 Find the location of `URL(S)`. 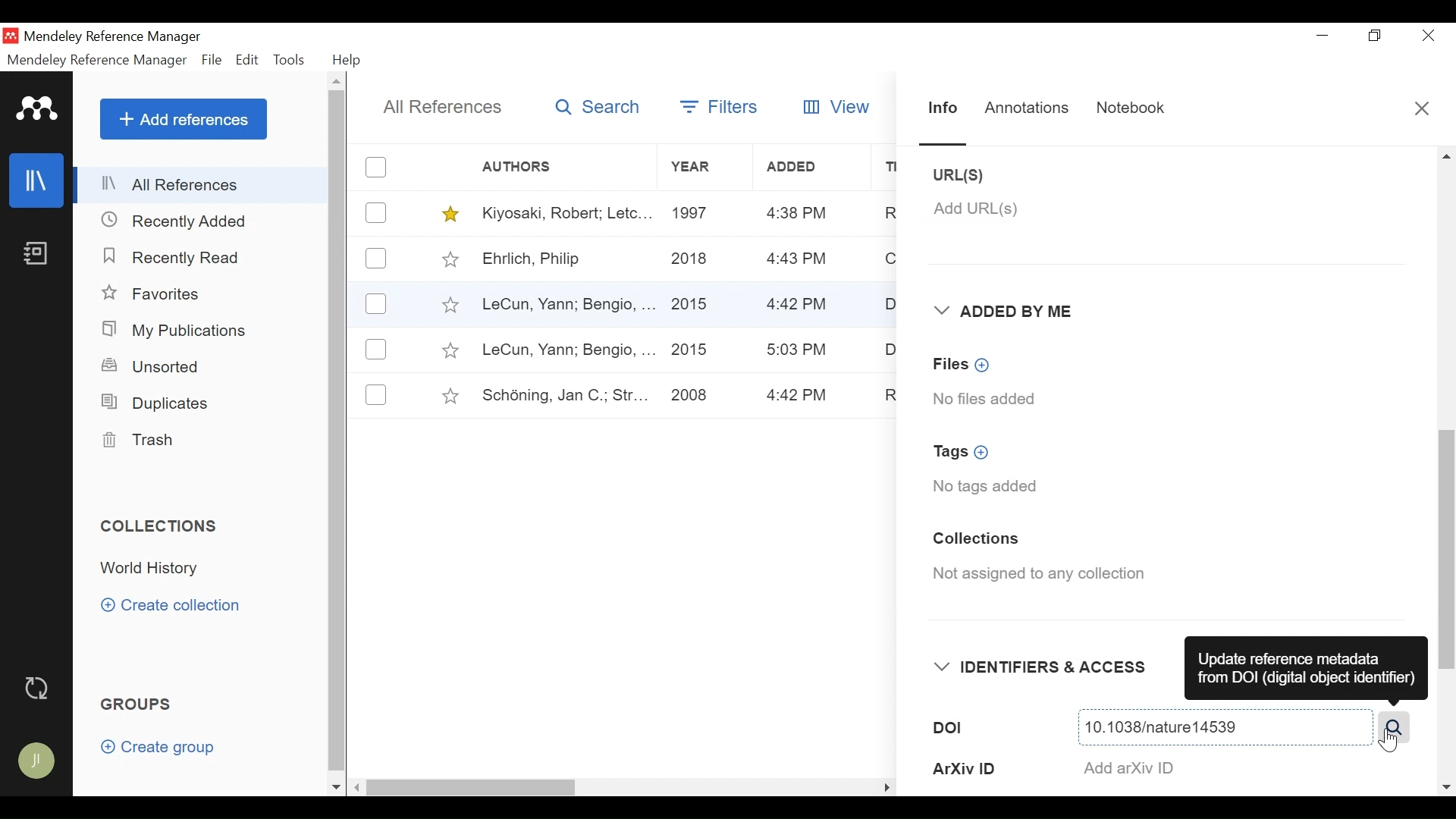

URL(S) is located at coordinates (973, 175).